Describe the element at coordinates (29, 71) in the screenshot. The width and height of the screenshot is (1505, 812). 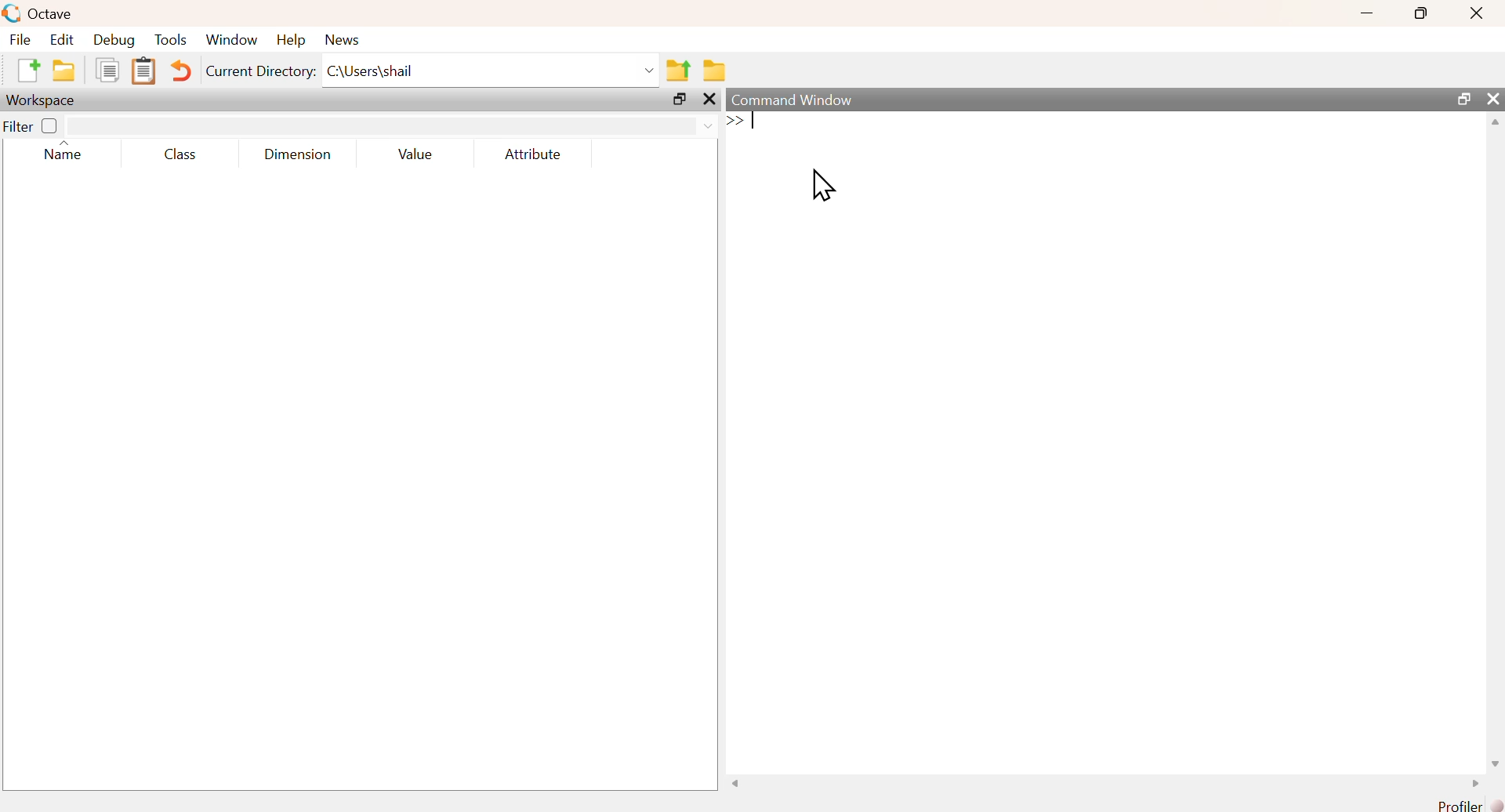
I see `New File` at that location.